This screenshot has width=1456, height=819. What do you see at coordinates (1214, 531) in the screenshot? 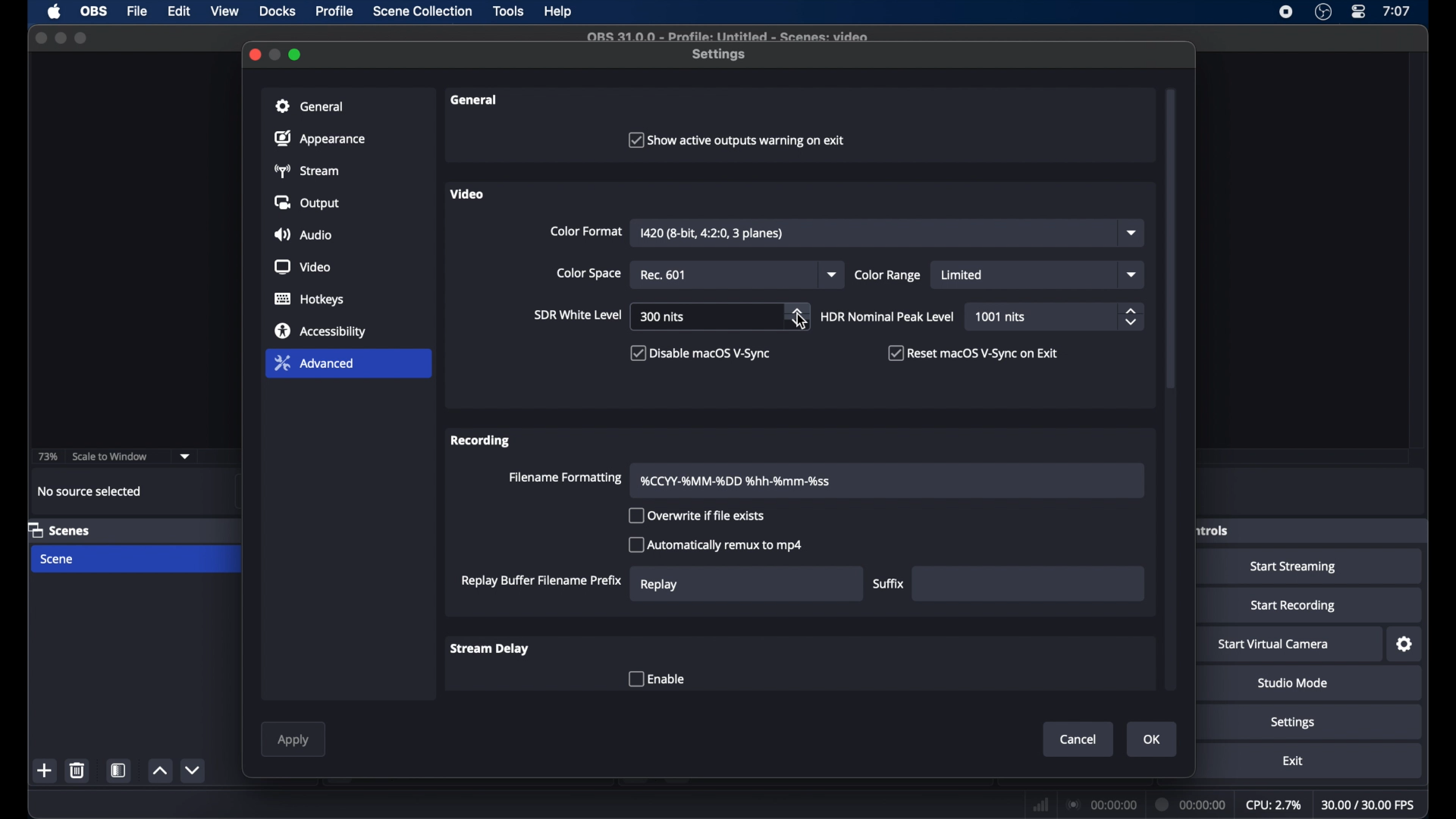
I see `obscure label` at bounding box center [1214, 531].